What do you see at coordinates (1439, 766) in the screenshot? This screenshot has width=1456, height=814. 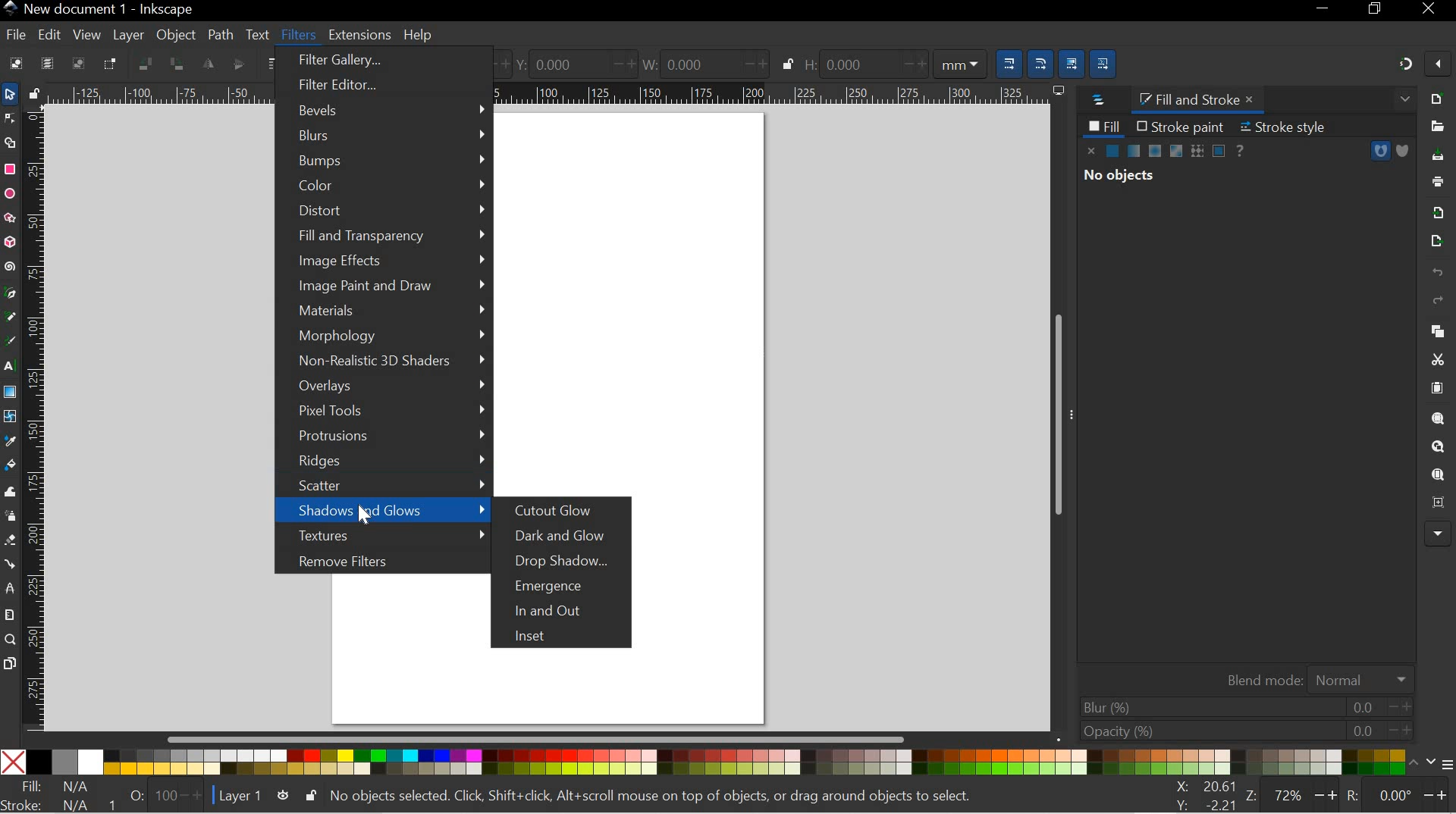 I see `CONFIGURE` at bounding box center [1439, 766].